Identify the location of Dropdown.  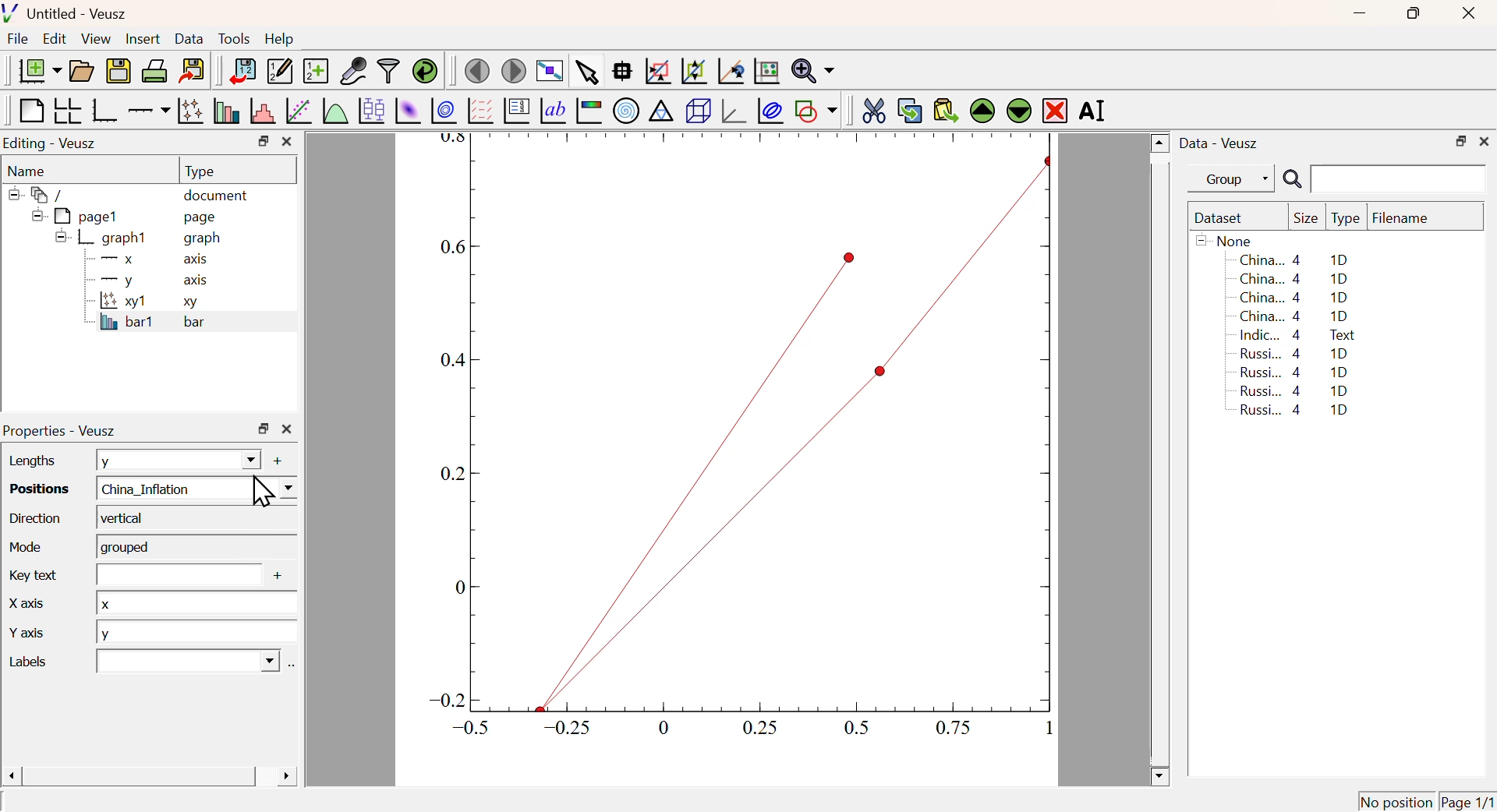
(179, 661).